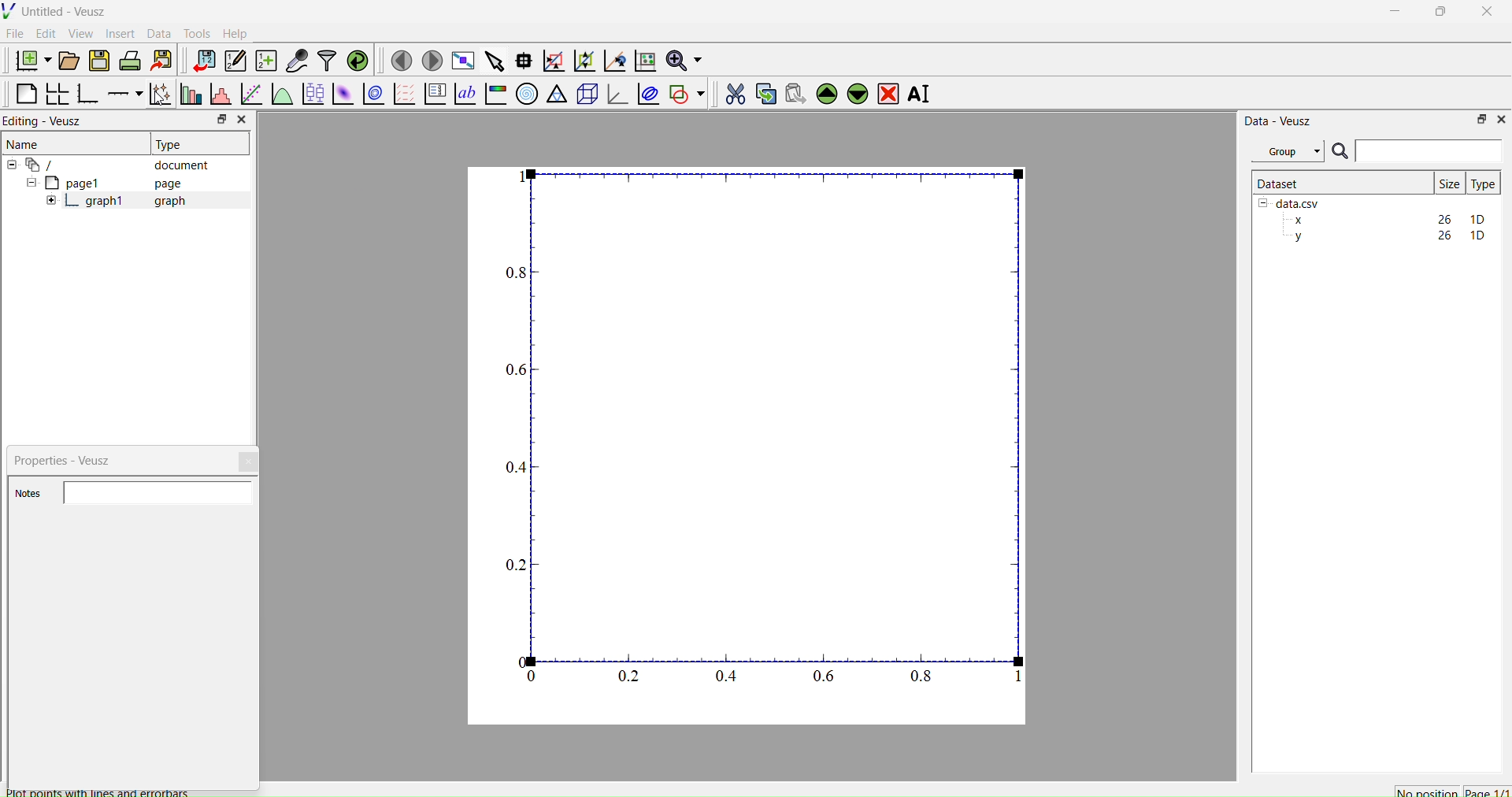 The width and height of the screenshot is (1512, 797). I want to click on Open, so click(66, 61).